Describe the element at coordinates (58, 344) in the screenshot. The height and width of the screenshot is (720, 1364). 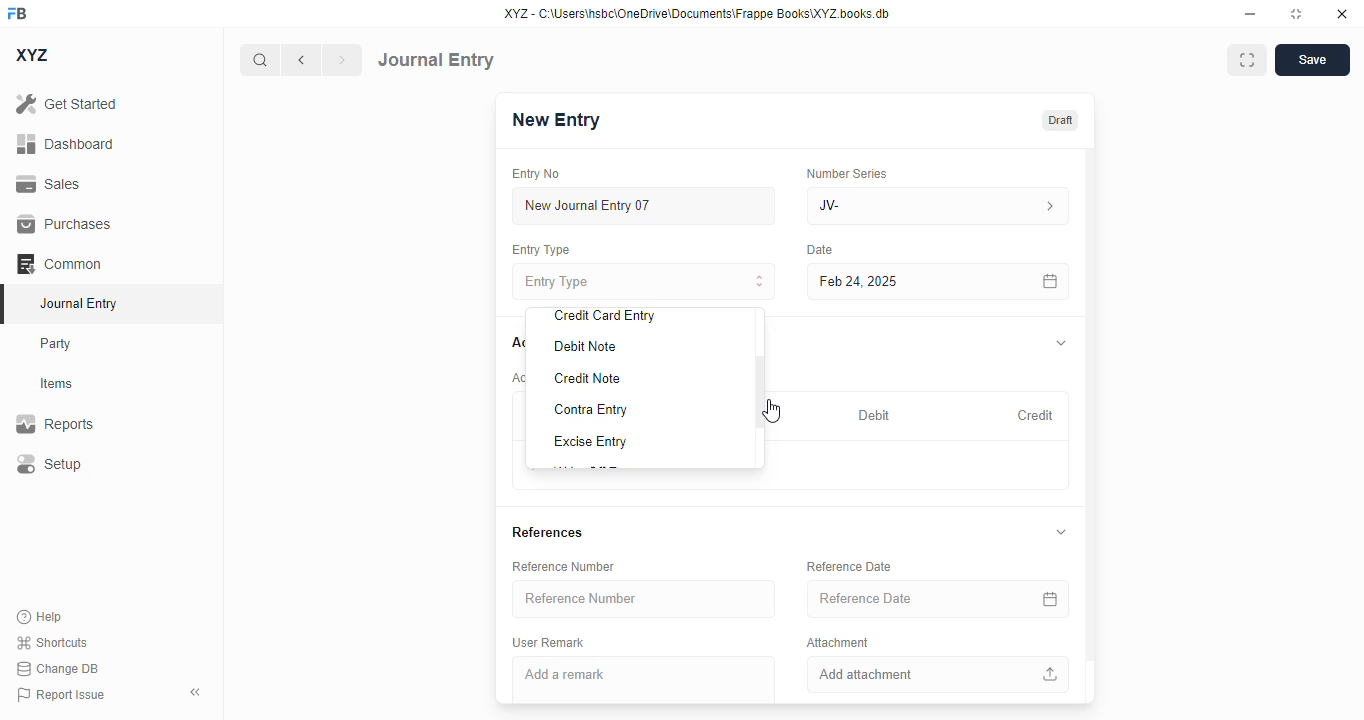
I see `party` at that location.